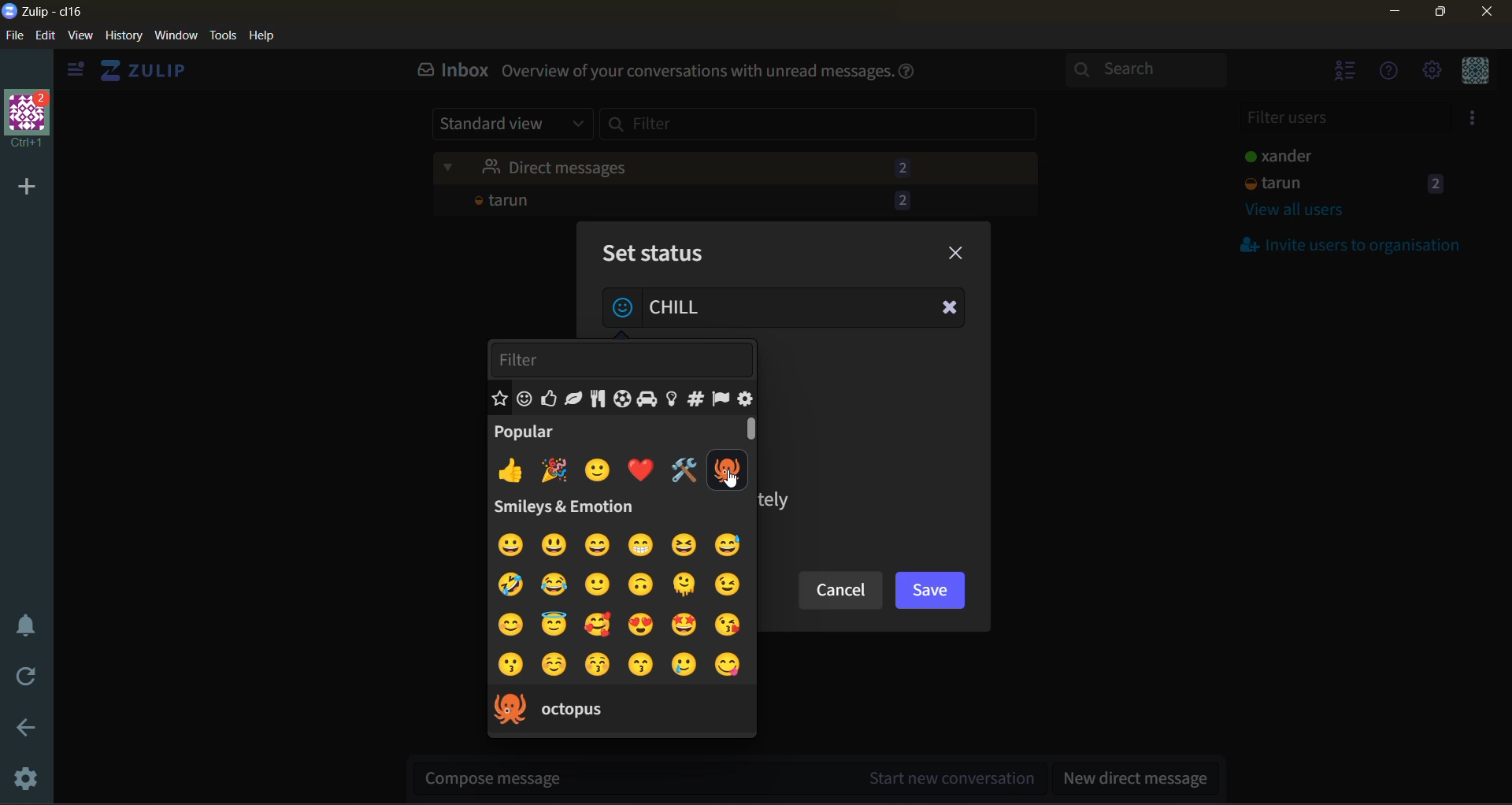 This screenshot has width=1512, height=805. I want to click on emoji, so click(684, 469).